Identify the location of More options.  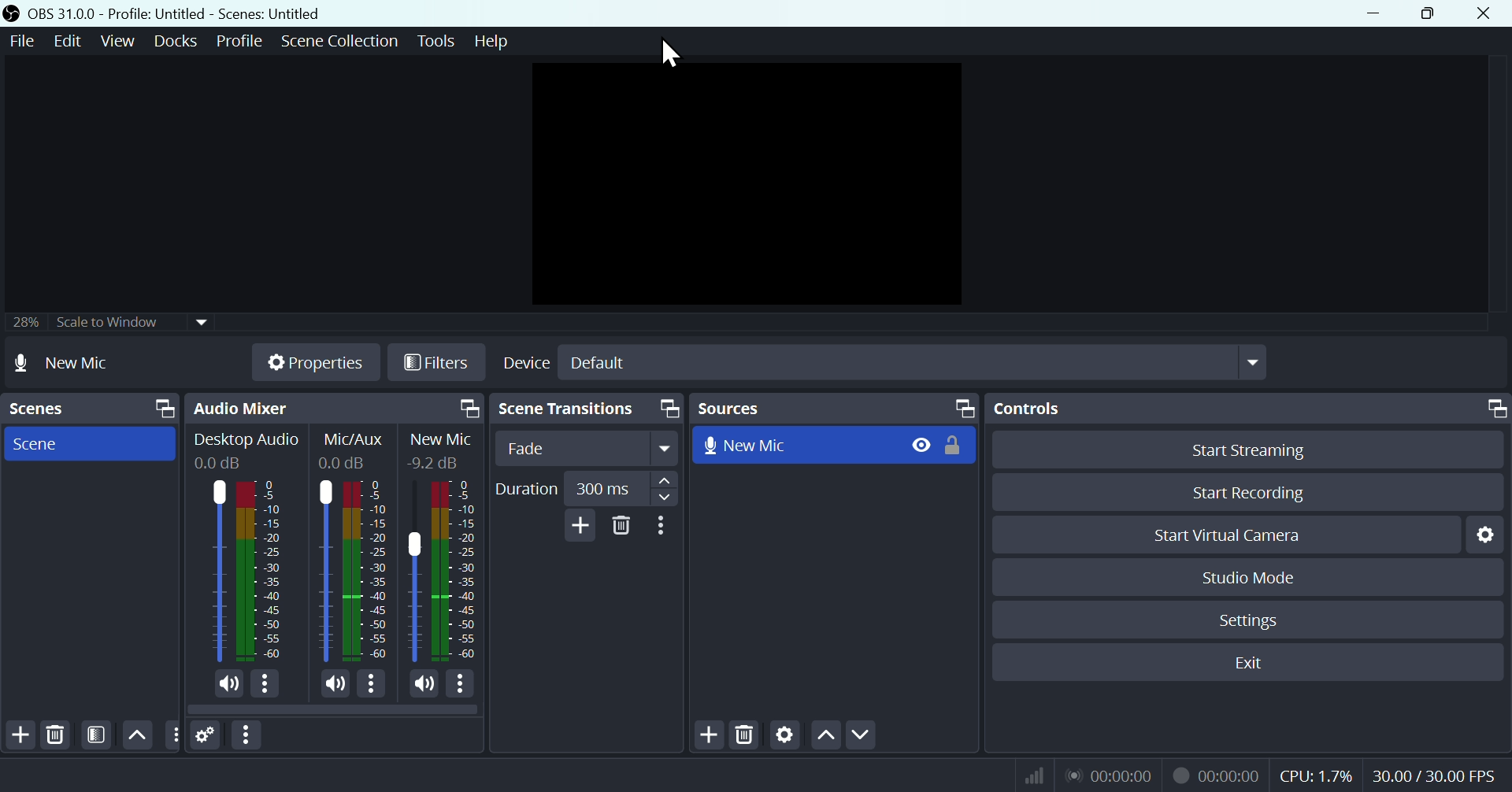
(266, 685).